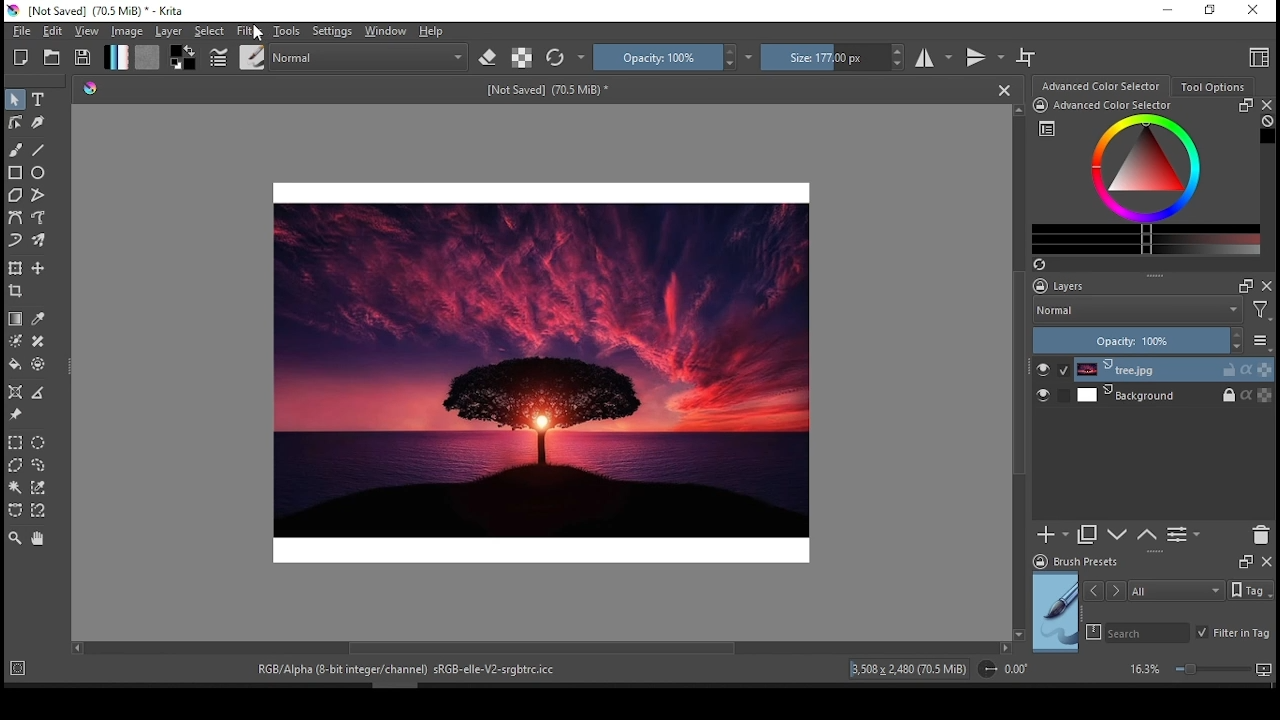 The height and width of the screenshot is (720, 1280). Describe the element at coordinates (1265, 562) in the screenshot. I see `close docker` at that location.